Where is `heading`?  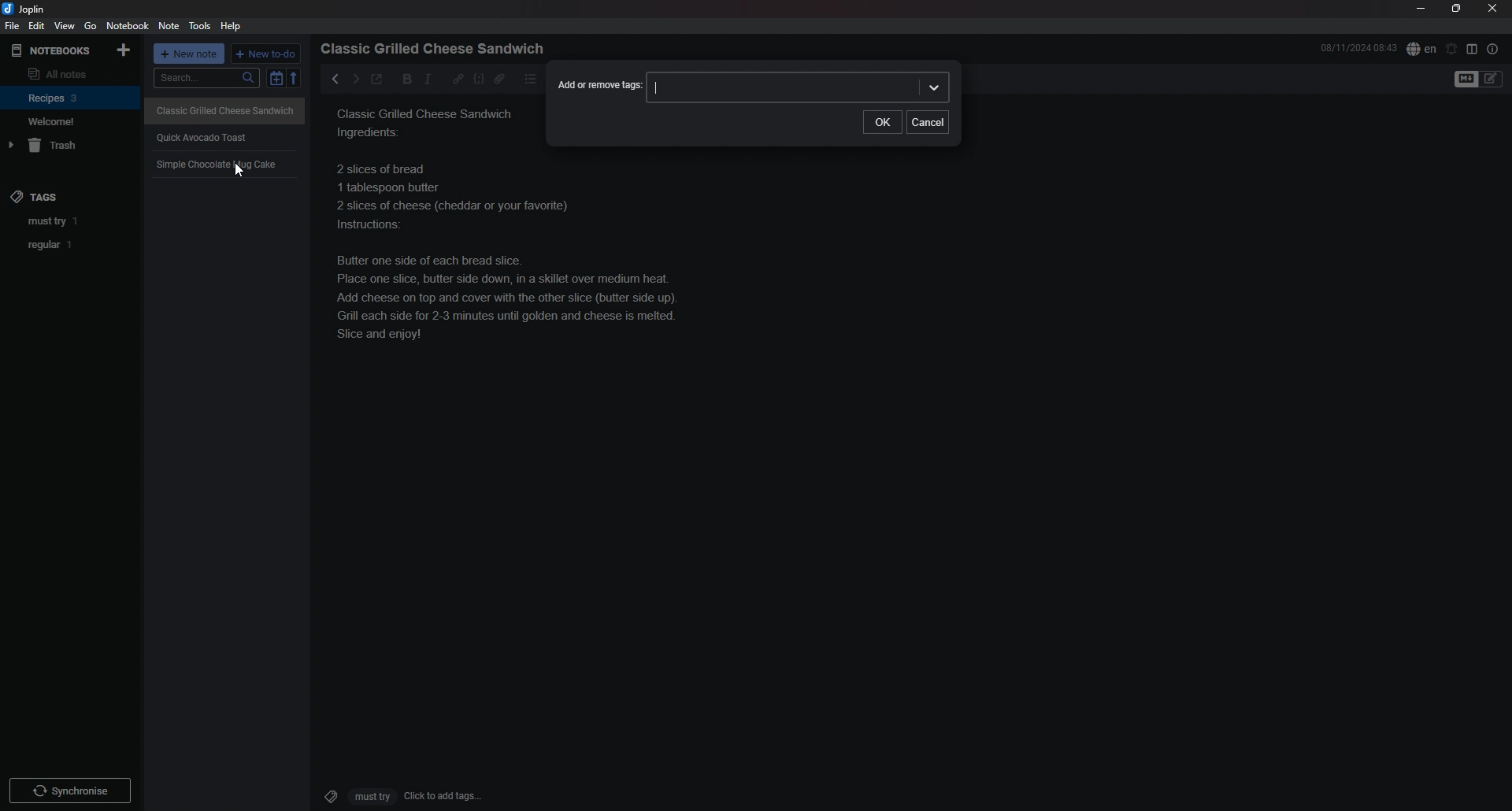 heading is located at coordinates (437, 49).